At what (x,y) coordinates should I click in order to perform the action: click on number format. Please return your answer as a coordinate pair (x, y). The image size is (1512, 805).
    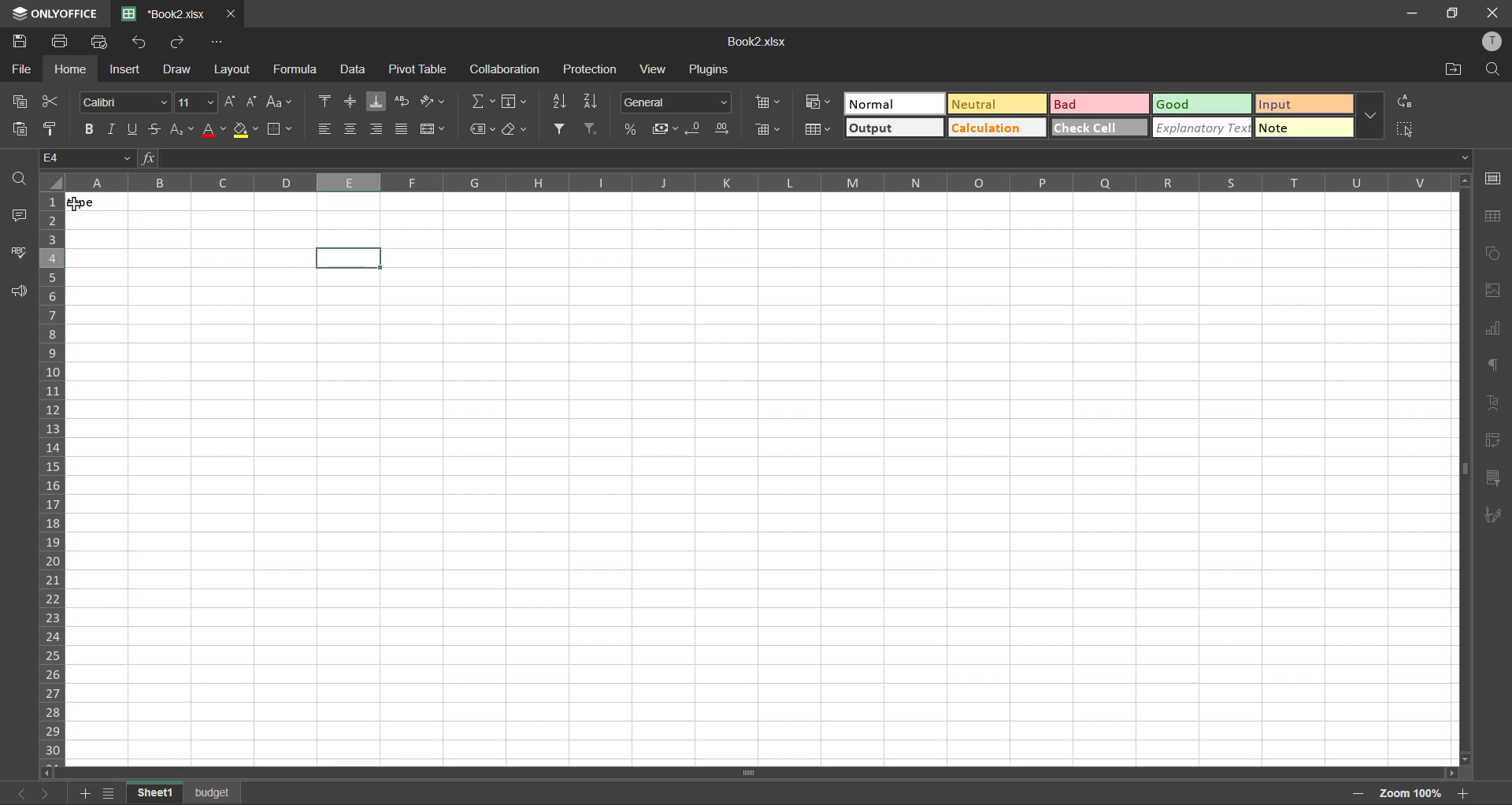
    Looking at the image, I should click on (676, 102).